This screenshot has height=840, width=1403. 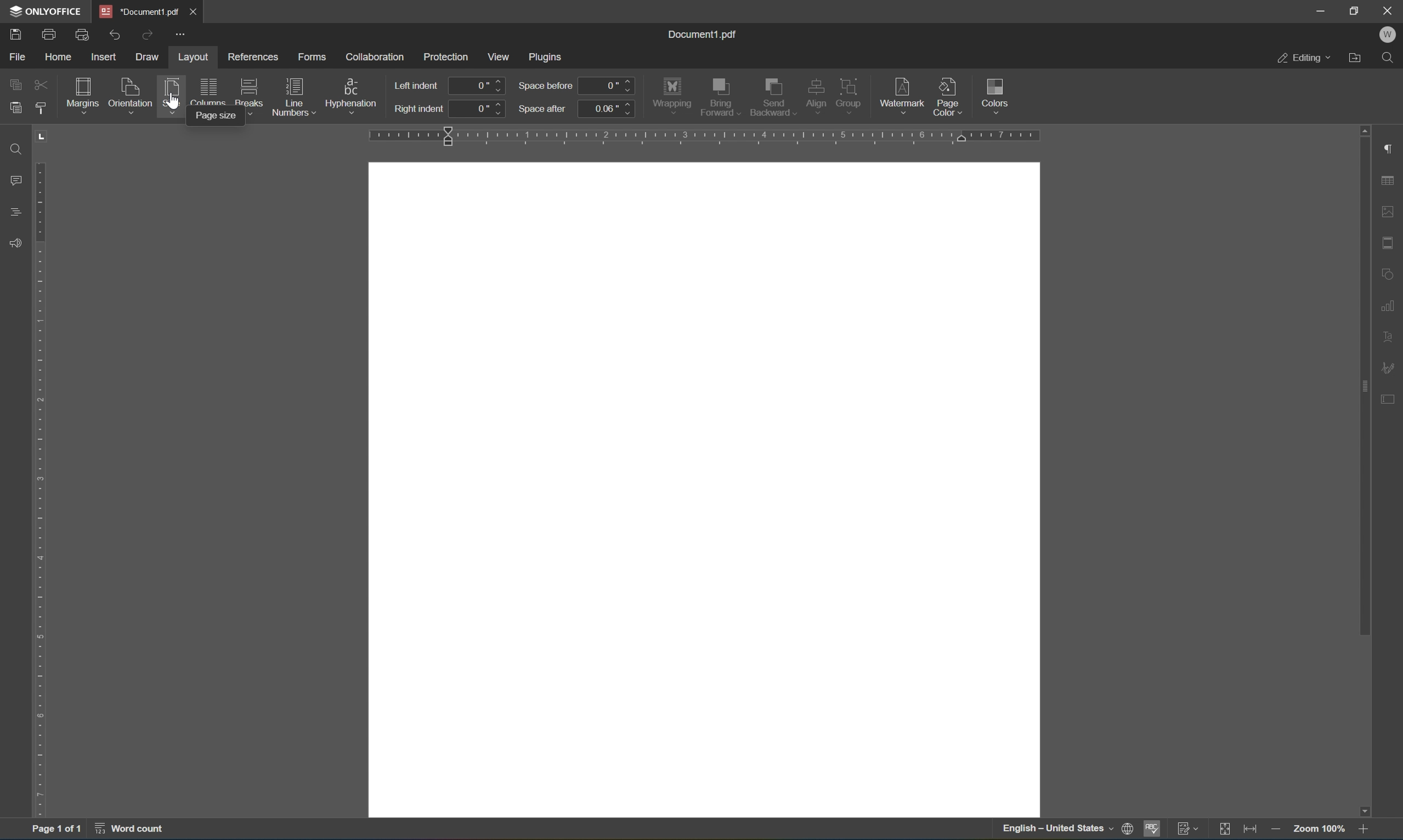 What do you see at coordinates (58, 831) in the screenshot?
I see `page 1 of 1` at bounding box center [58, 831].